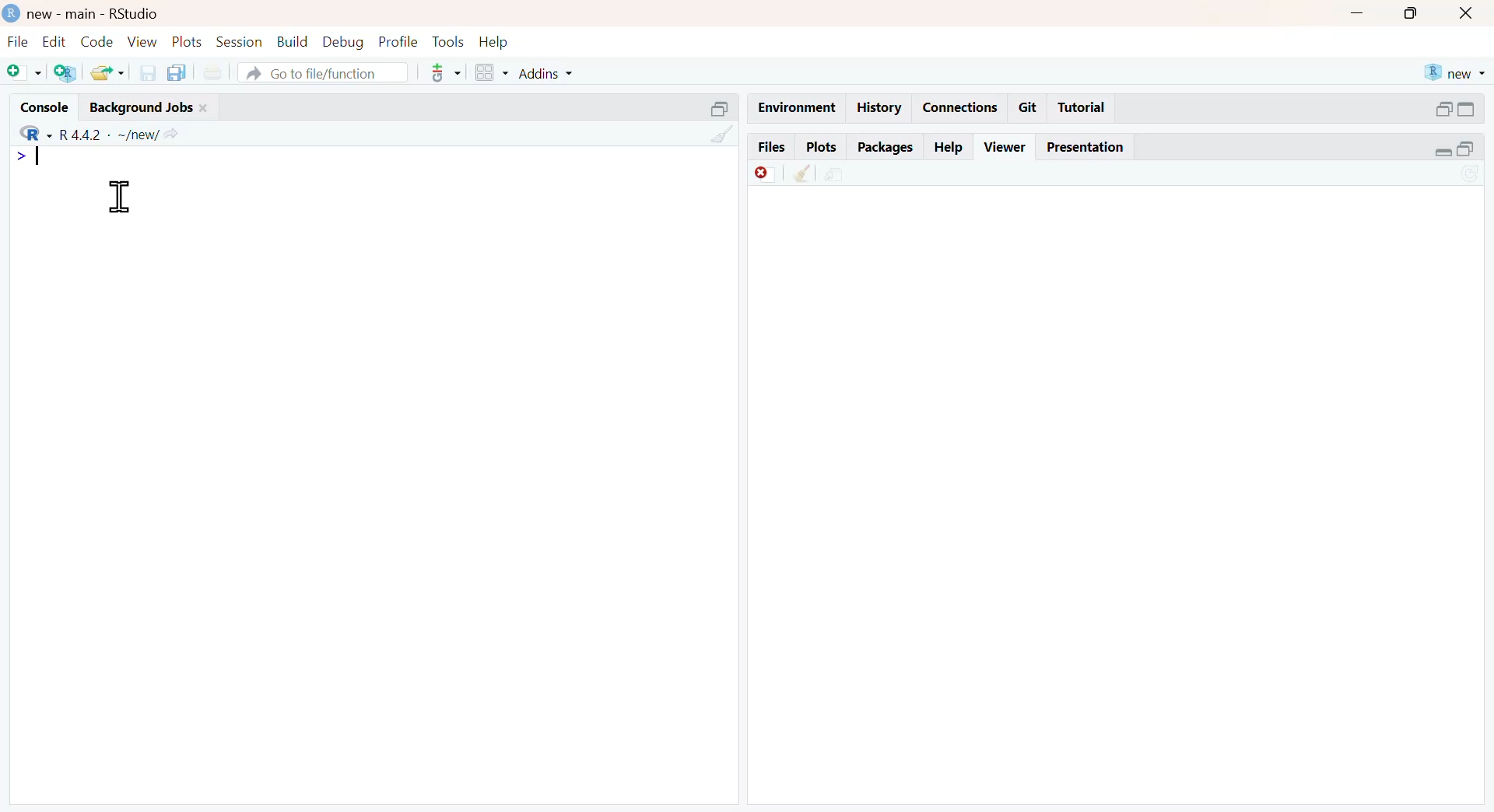  Describe the element at coordinates (767, 174) in the screenshot. I see `discard` at that location.